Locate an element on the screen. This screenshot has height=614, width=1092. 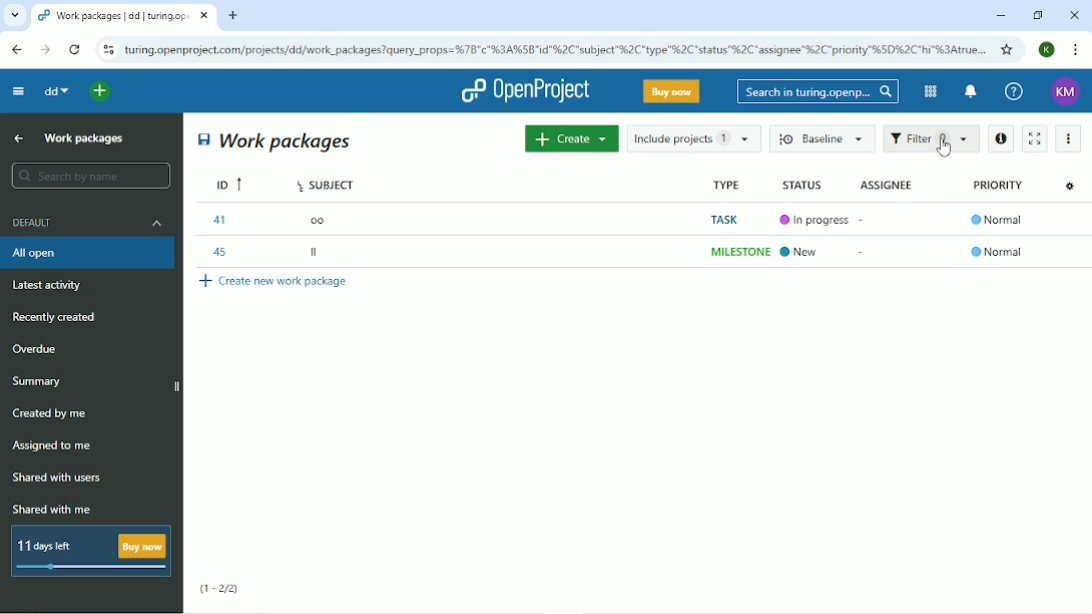
Search by name is located at coordinates (90, 176).